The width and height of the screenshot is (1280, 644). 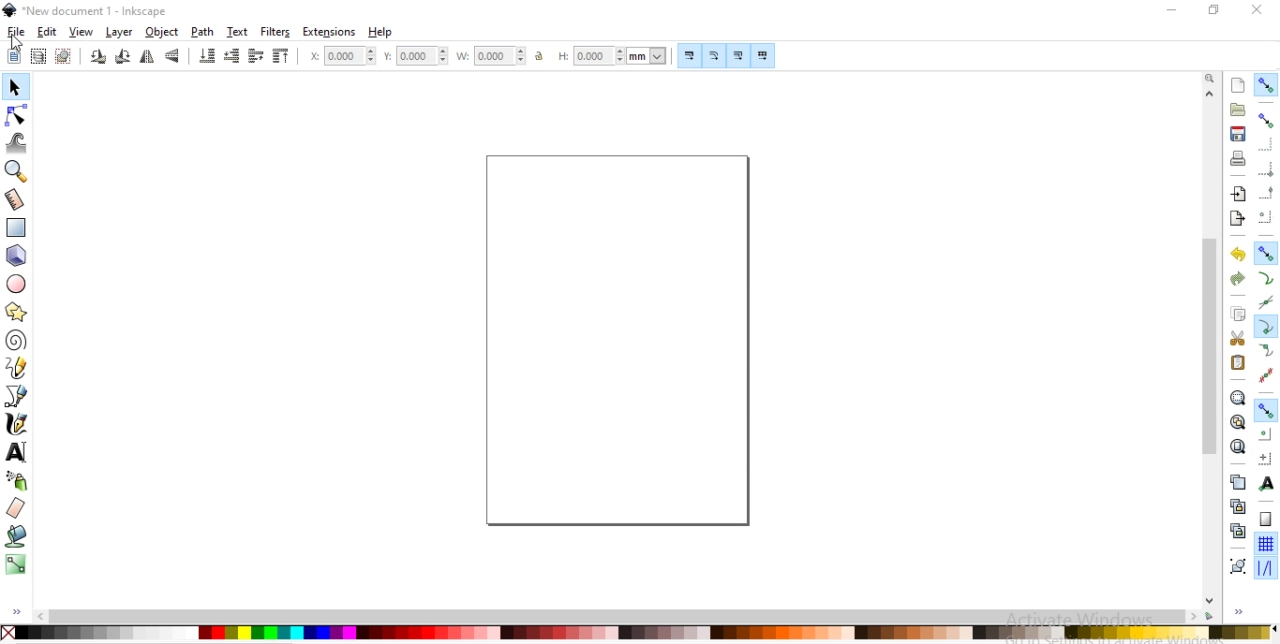 I want to click on snap other points, so click(x=1266, y=410).